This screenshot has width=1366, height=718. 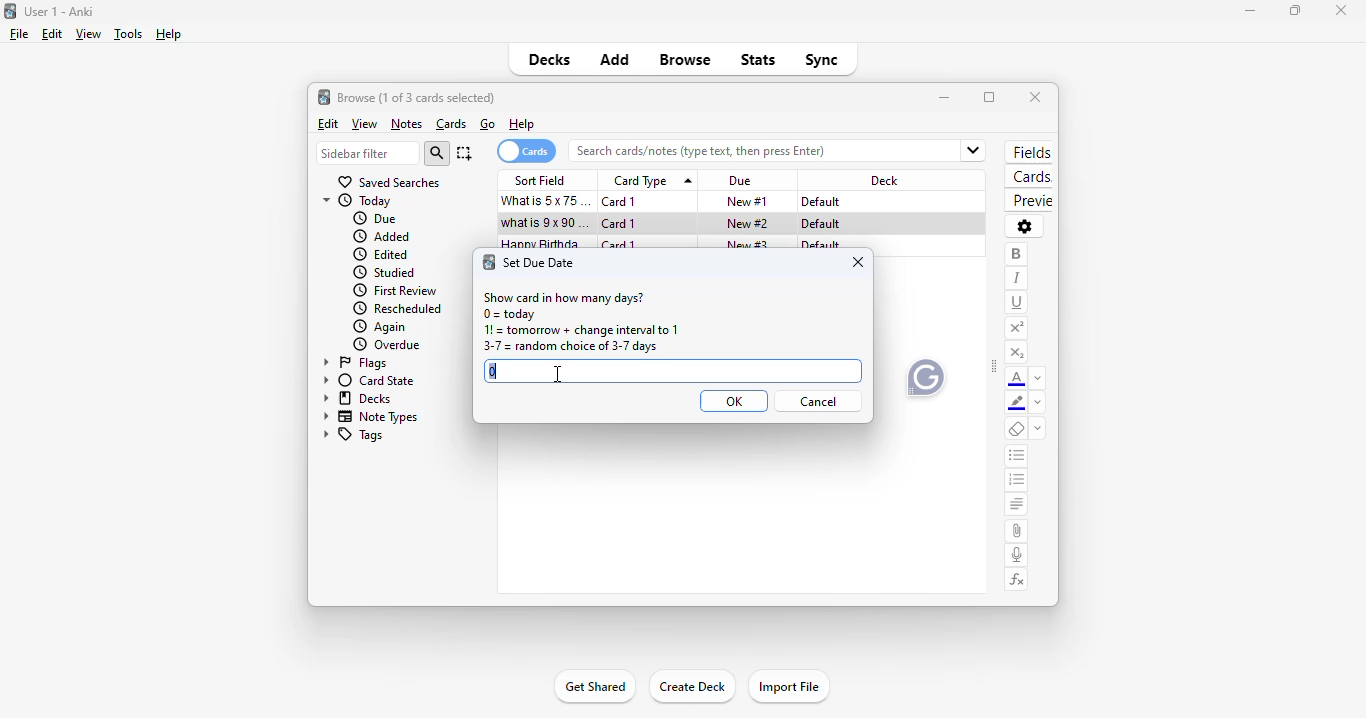 What do you see at coordinates (621, 224) in the screenshot?
I see `card 1` at bounding box center [621, 224].